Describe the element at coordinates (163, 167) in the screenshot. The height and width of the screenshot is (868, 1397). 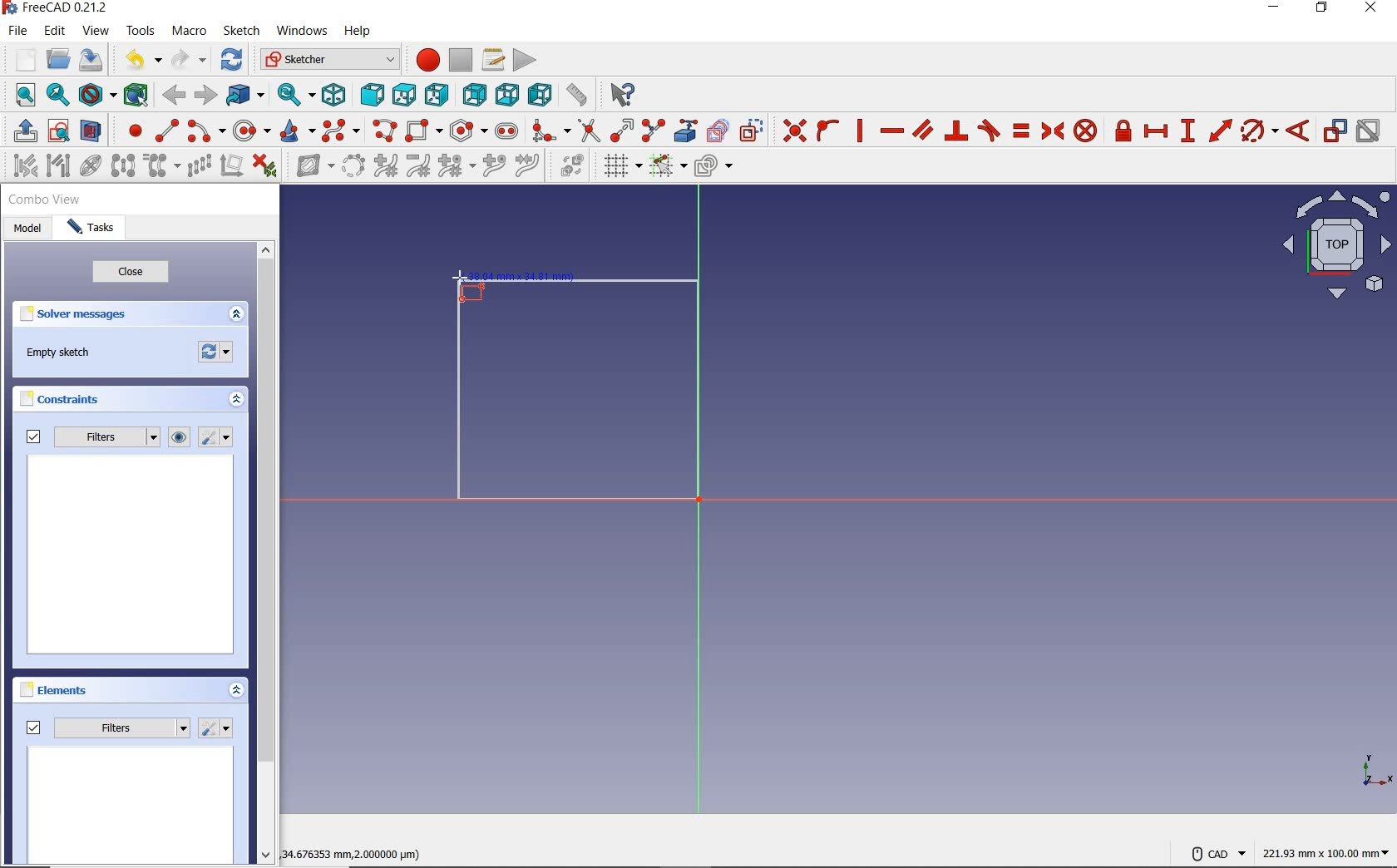
I see `clone` at that location.